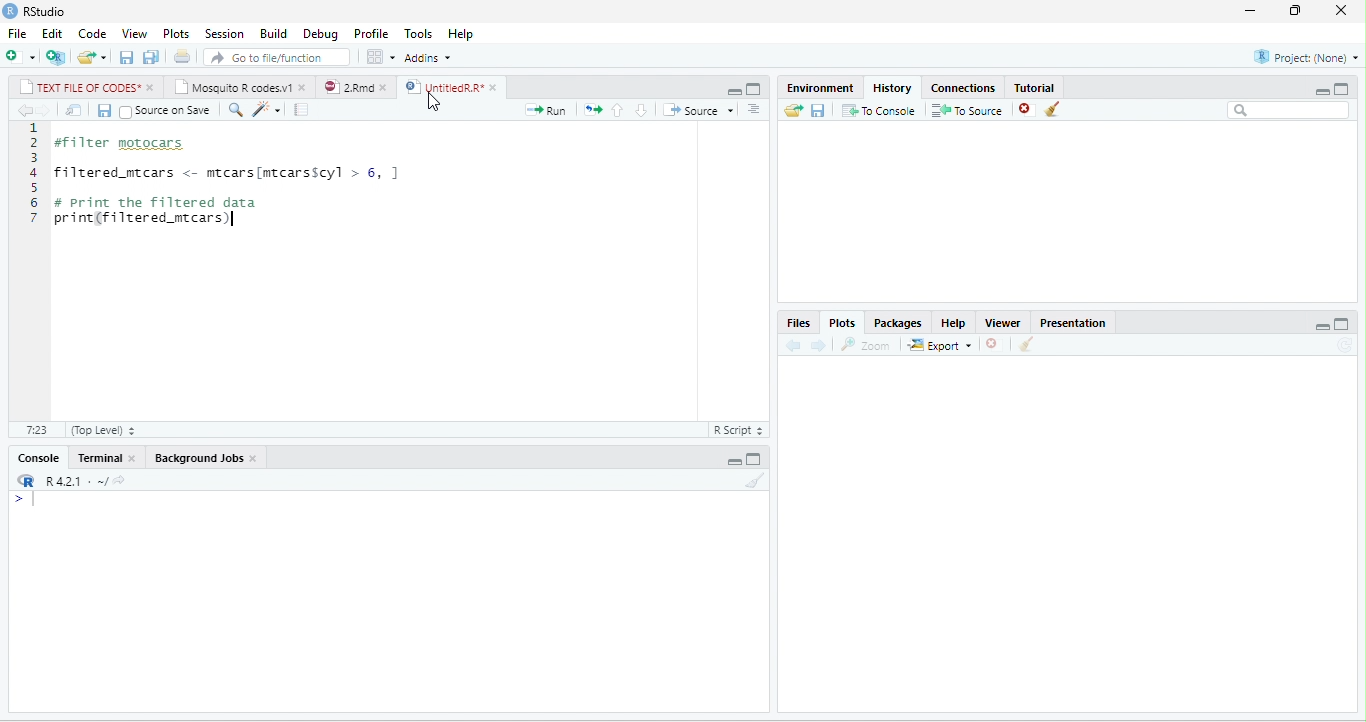  I want to click on 7:23, so click(37, 430).